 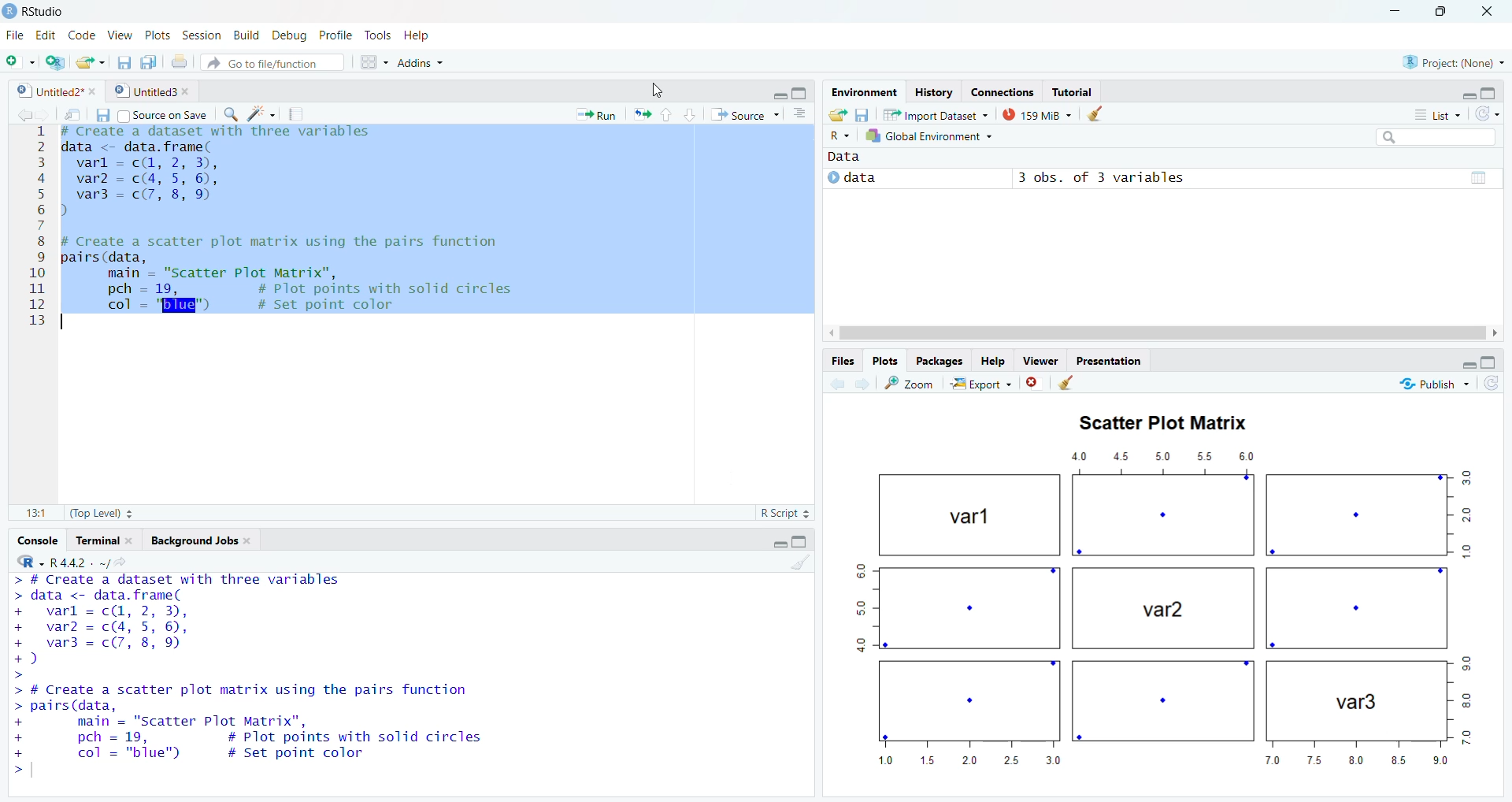 I want to click on A Go to file/function, so click(x=272, y=62).